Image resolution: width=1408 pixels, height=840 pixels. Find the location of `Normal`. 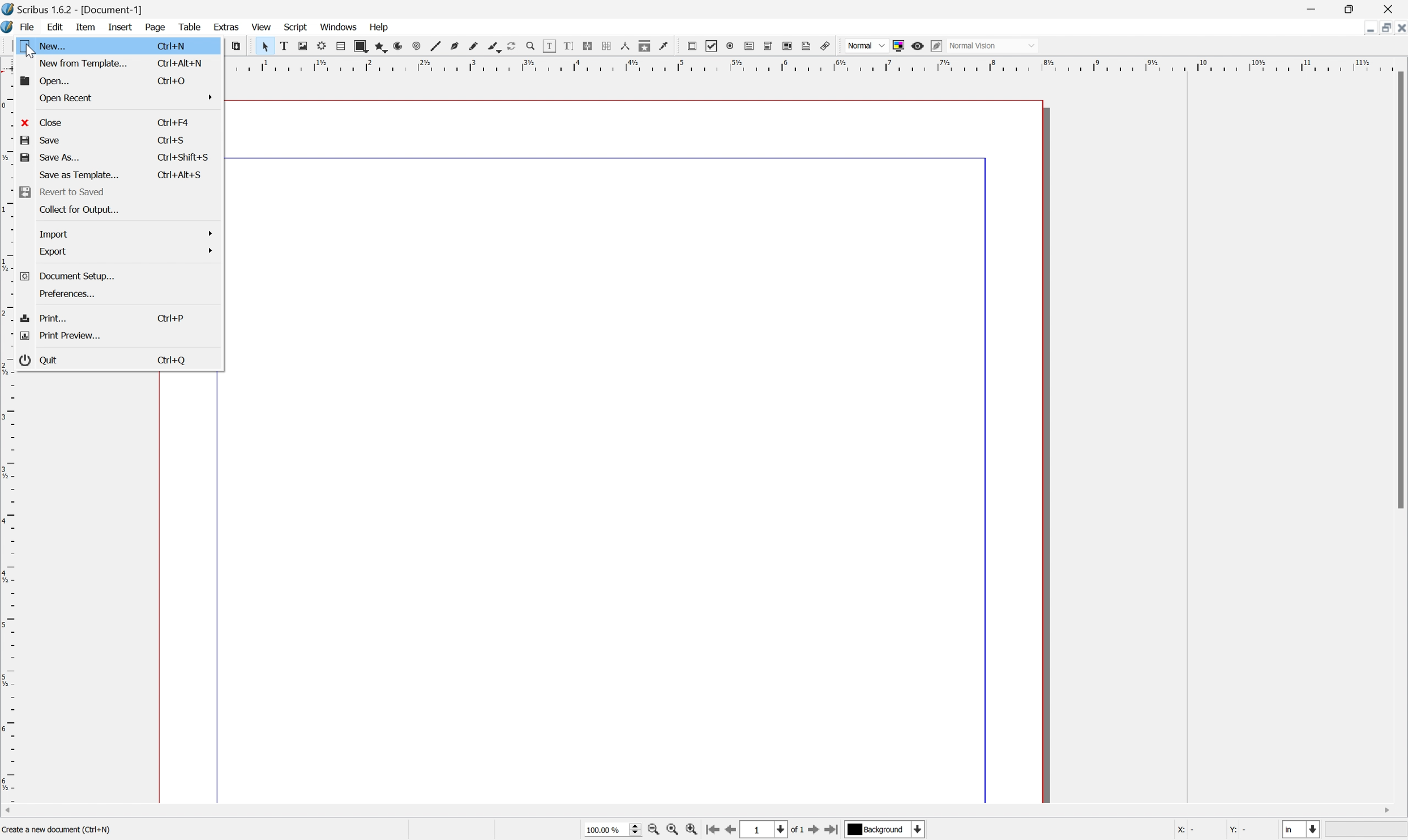

Normal is located at coordinates (864, 45).